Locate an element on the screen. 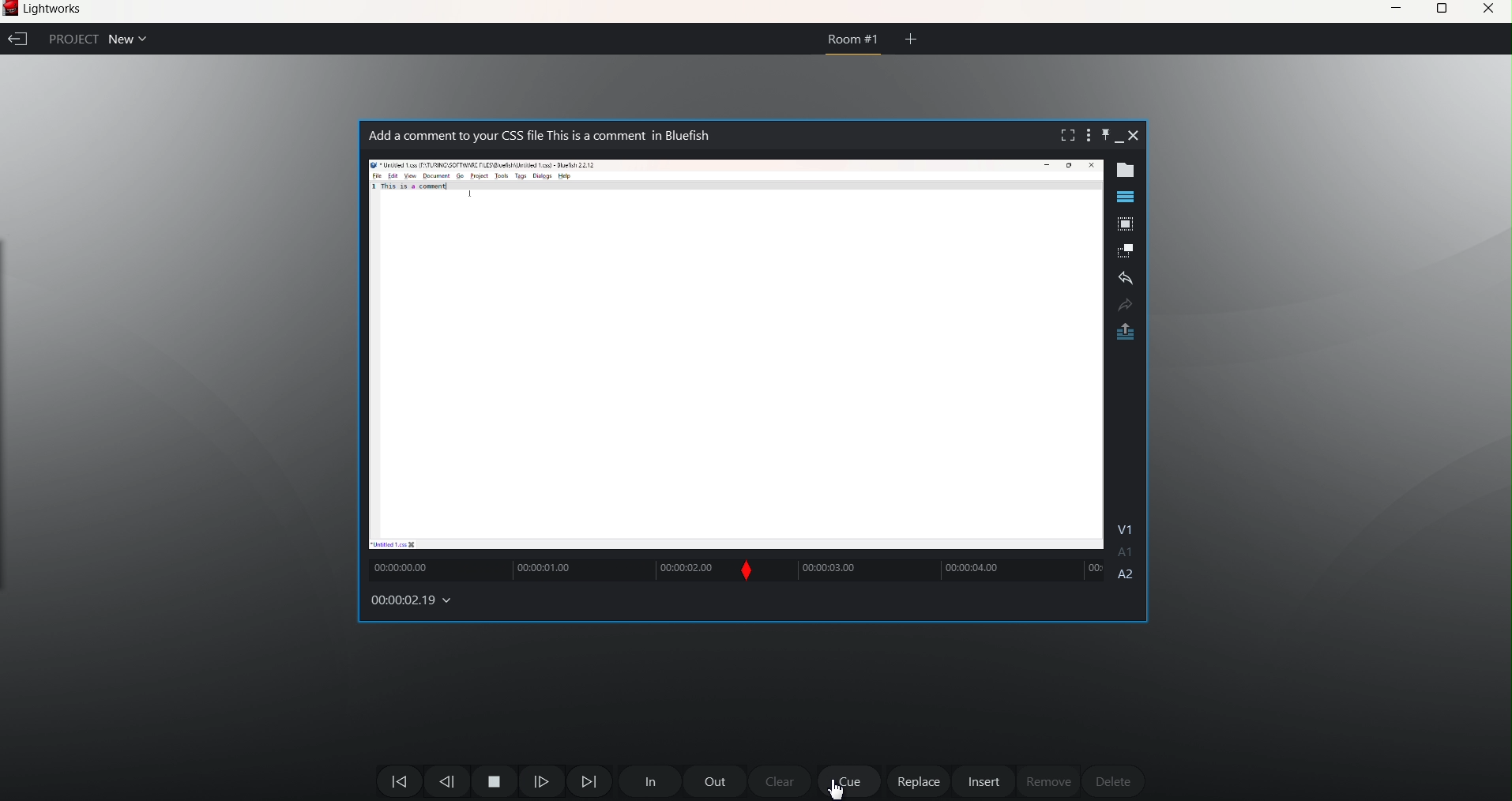  show timeline is located at coordinates (1125, 197).